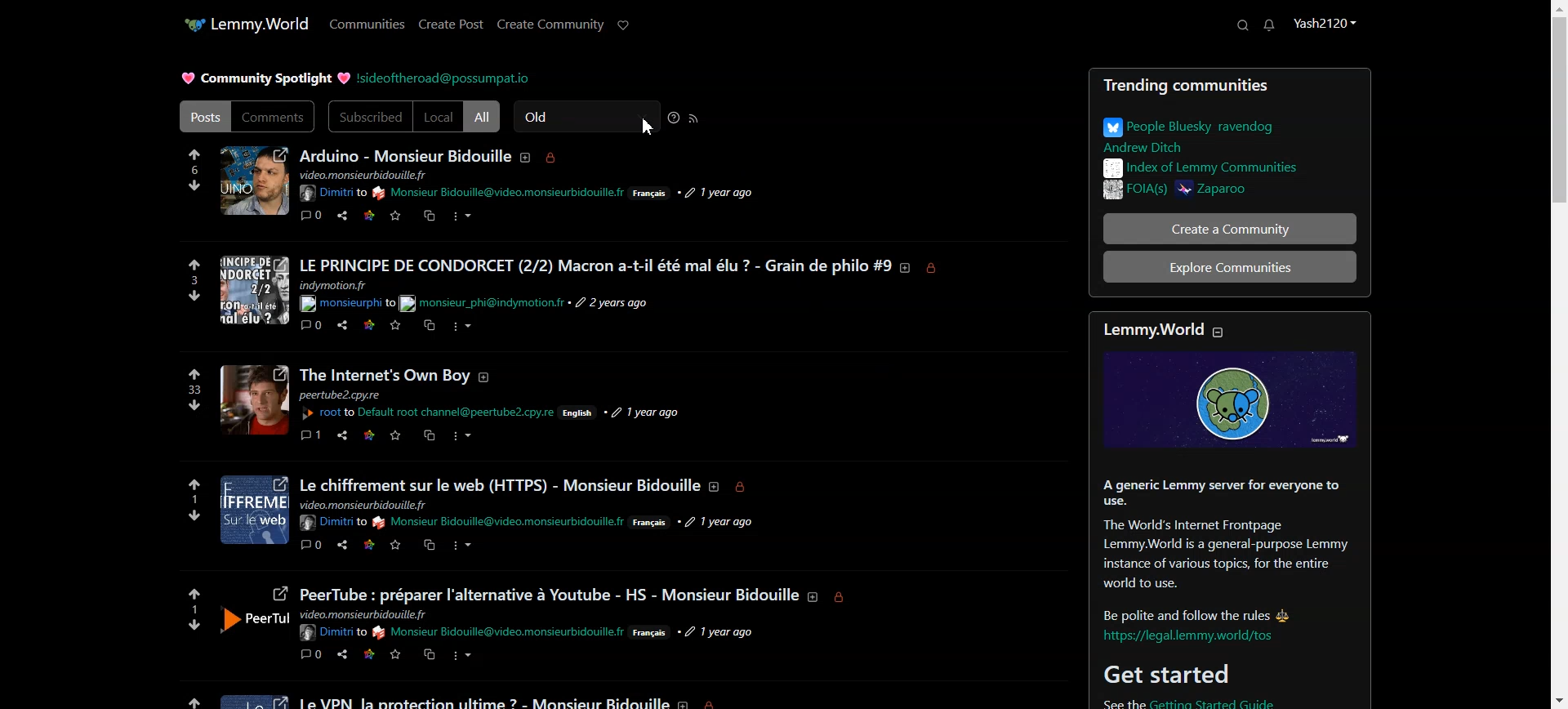 The image size is (1568, 709). What do you see at coordinates (260, 22) in the screenshot?
I see `Lemmy.World` at bounding box center [260, 22].